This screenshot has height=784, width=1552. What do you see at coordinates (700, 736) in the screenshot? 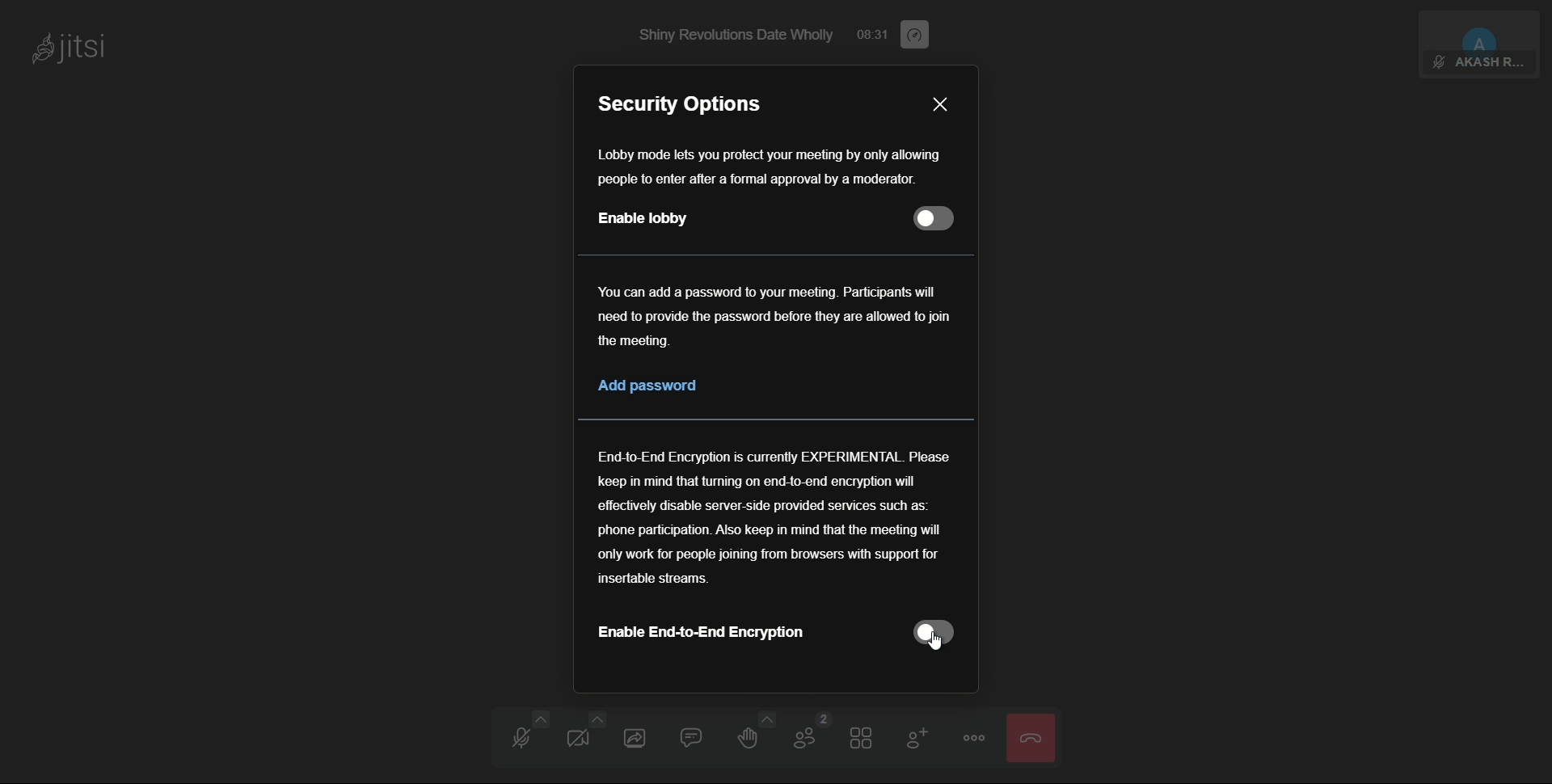
I see `open chat` at bounding box center [700, 736].